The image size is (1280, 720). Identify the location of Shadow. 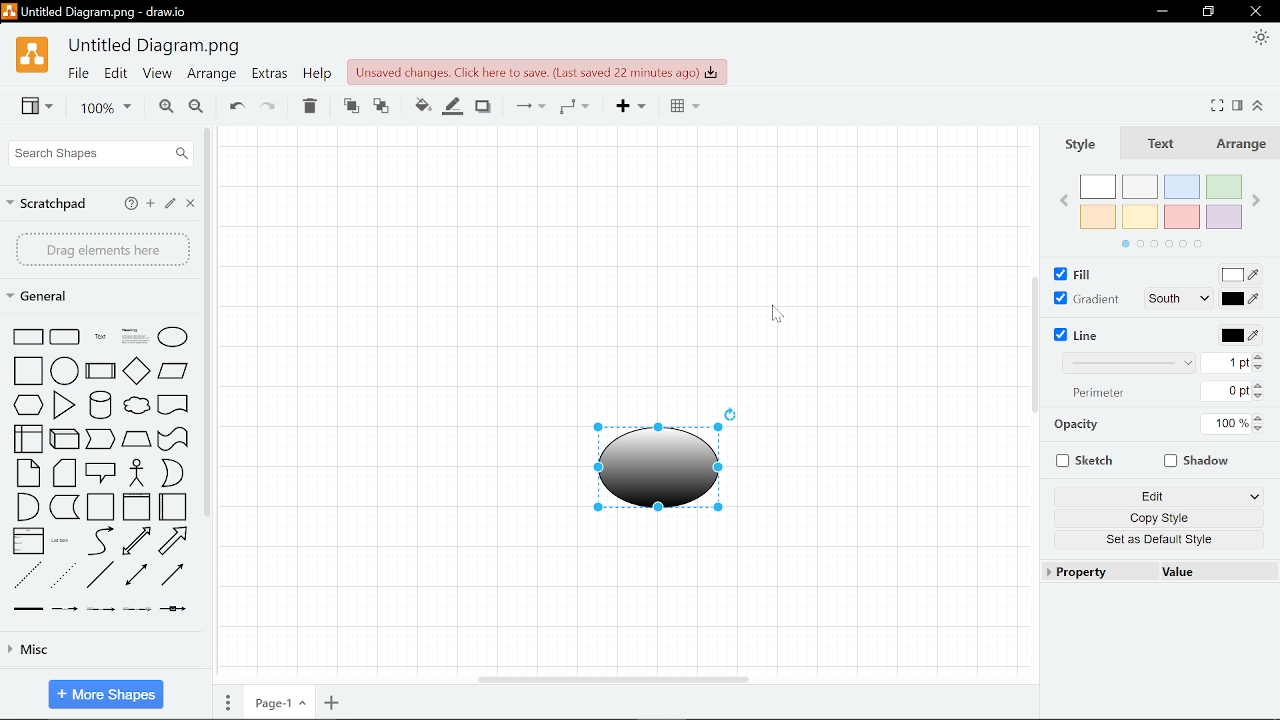
(481, 106).